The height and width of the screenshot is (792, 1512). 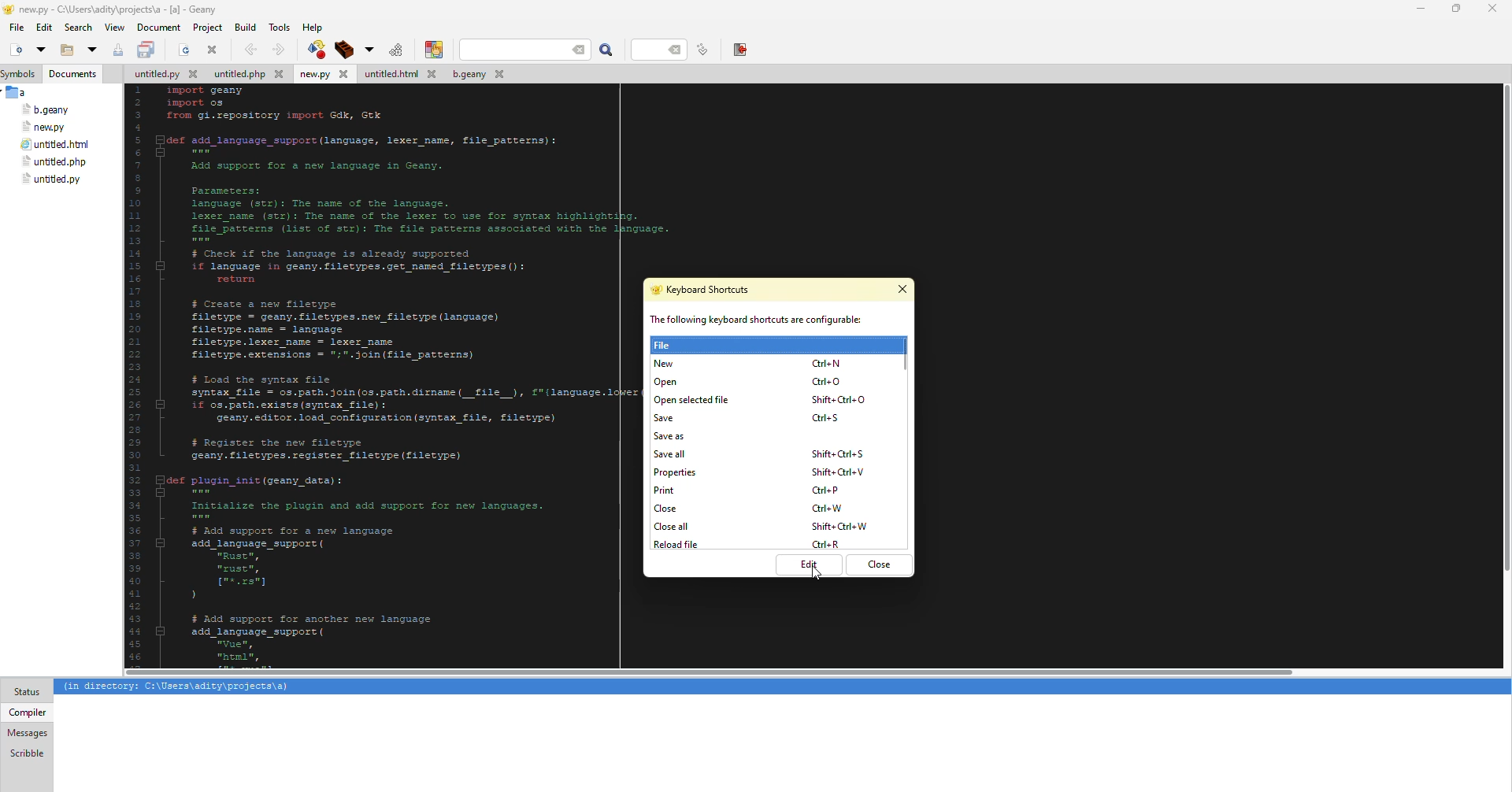 What do you see at coordinates (118, 50) in the screenshot?
I see `save` at bounding box center [118, 50].